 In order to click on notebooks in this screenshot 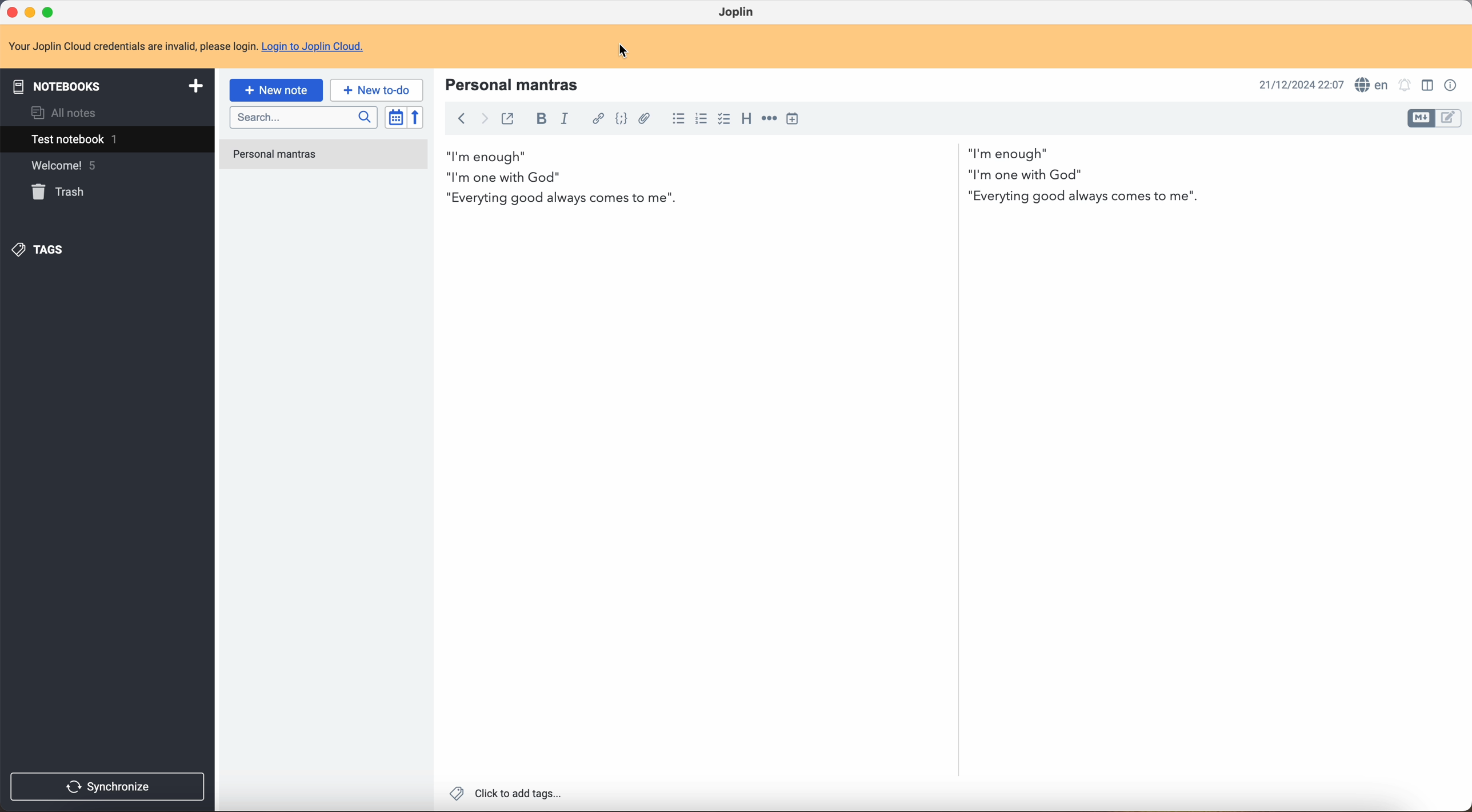, I will do `click(109, 87)`.